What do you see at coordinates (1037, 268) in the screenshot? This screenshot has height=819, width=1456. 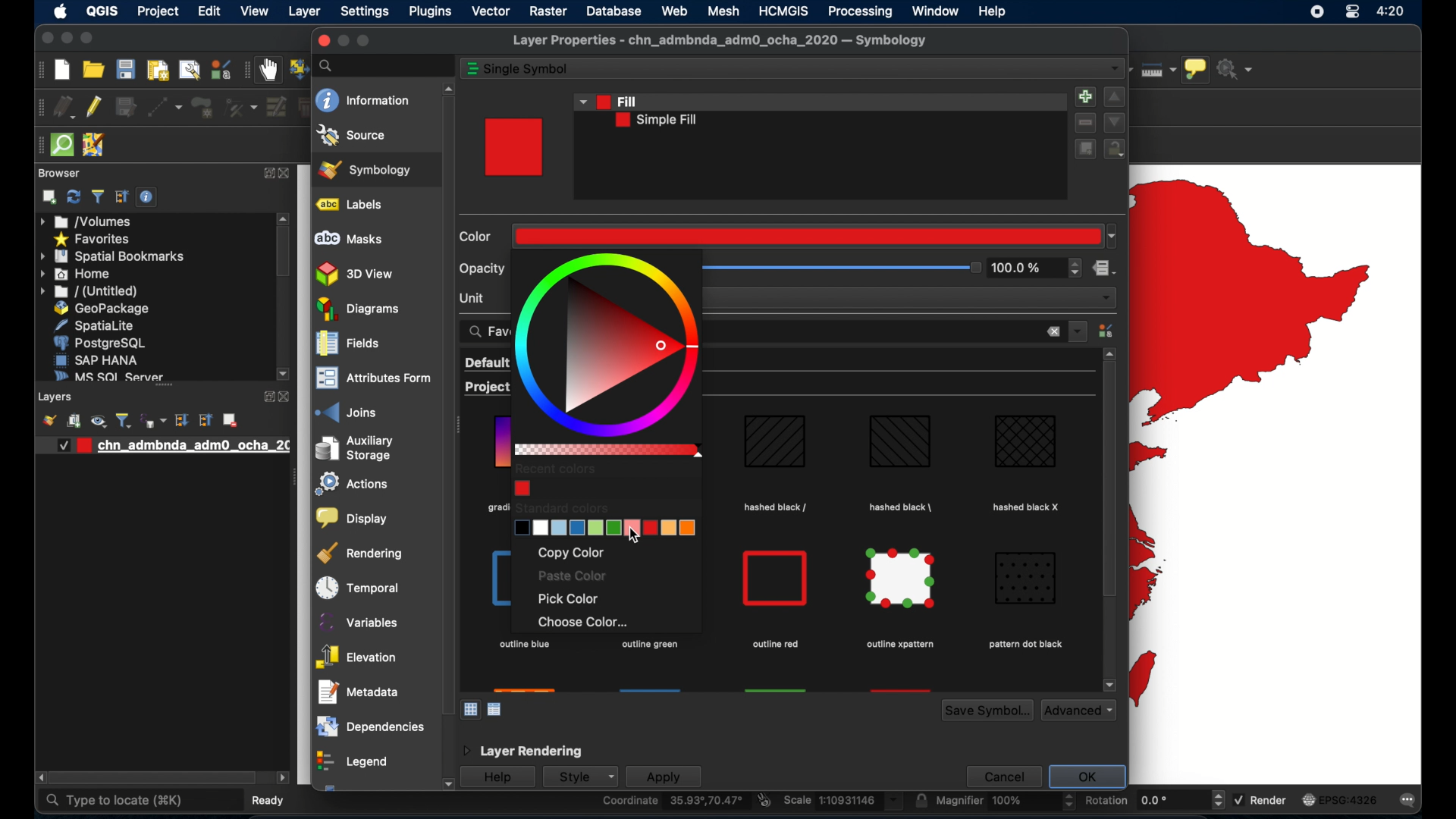 I see `opacity stepper buttons` at bounding box center [1037, 268].